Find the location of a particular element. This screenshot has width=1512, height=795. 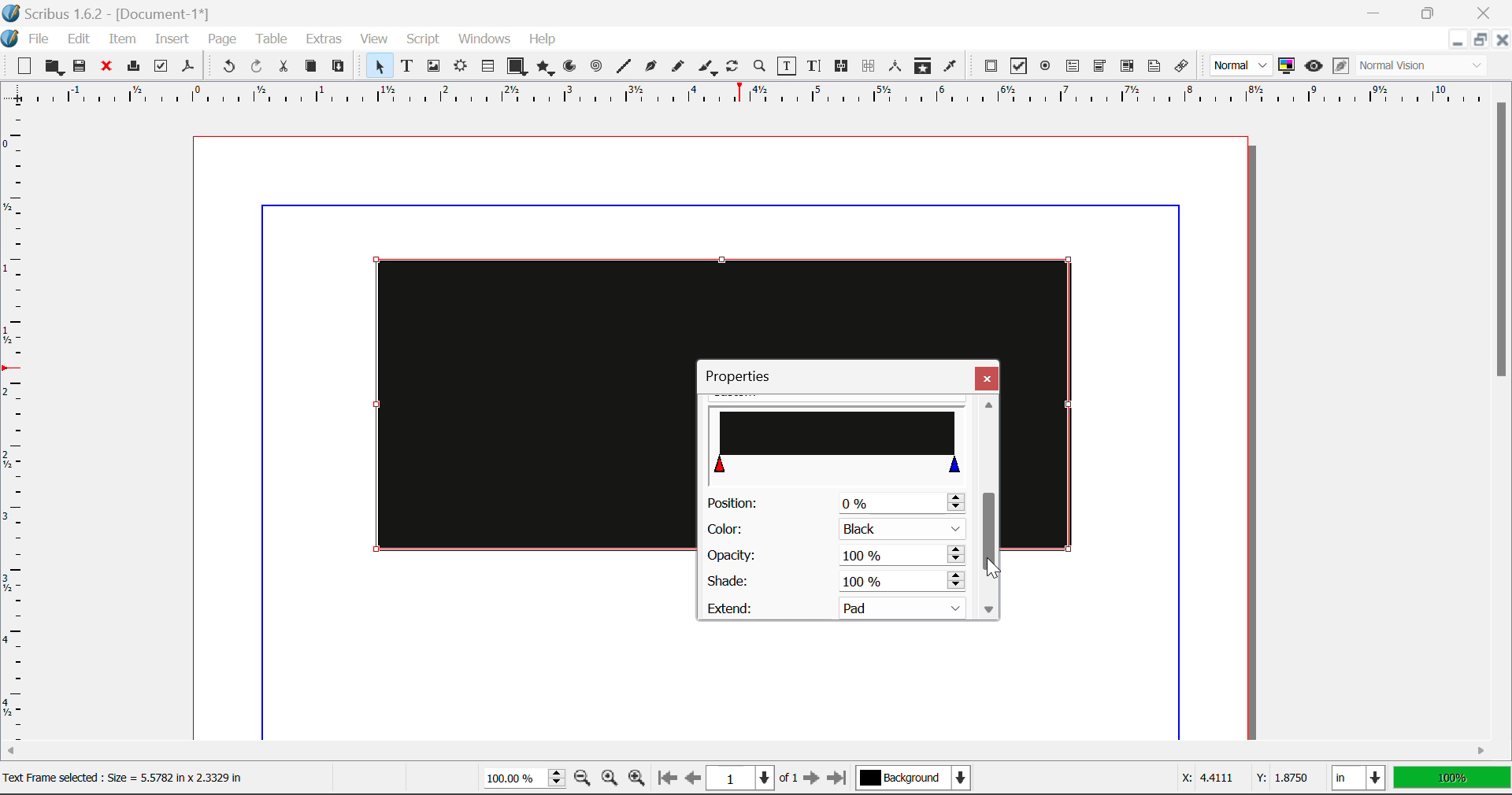

Scroll Bar is located at coordinates (747, 753).